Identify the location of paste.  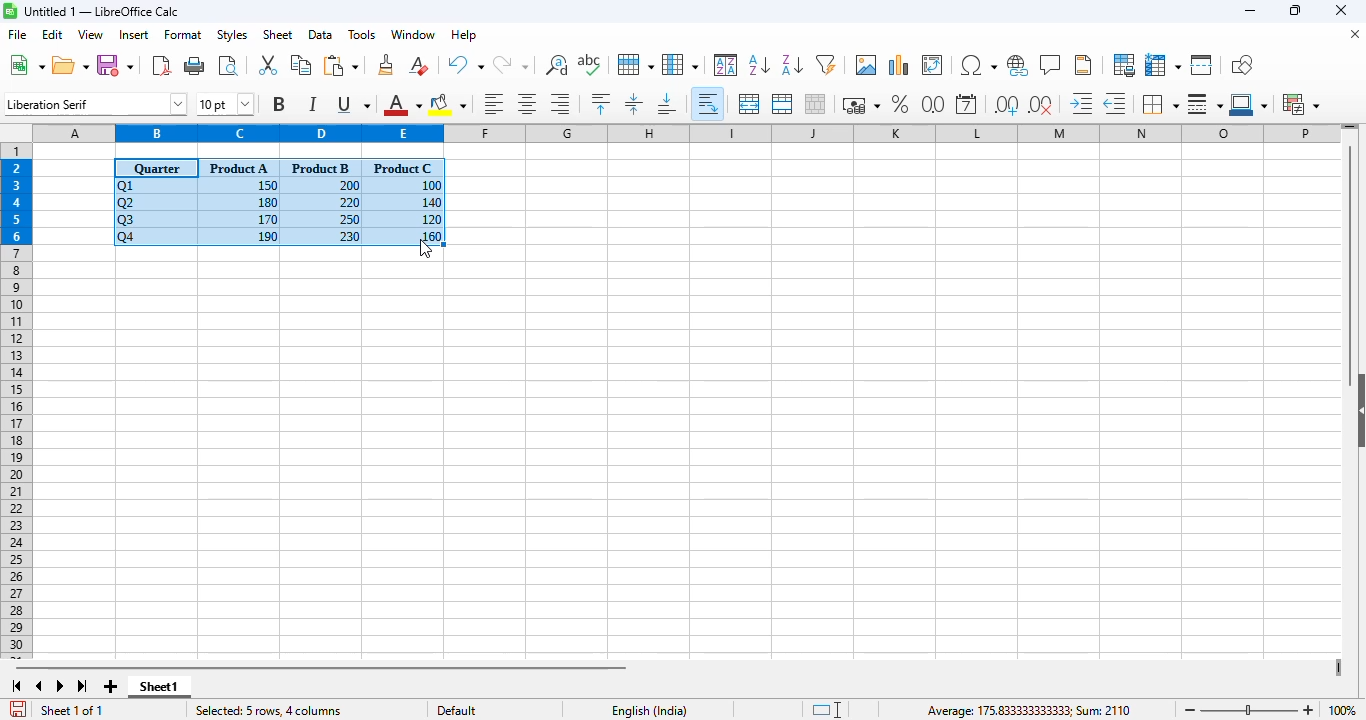
(342, 65).